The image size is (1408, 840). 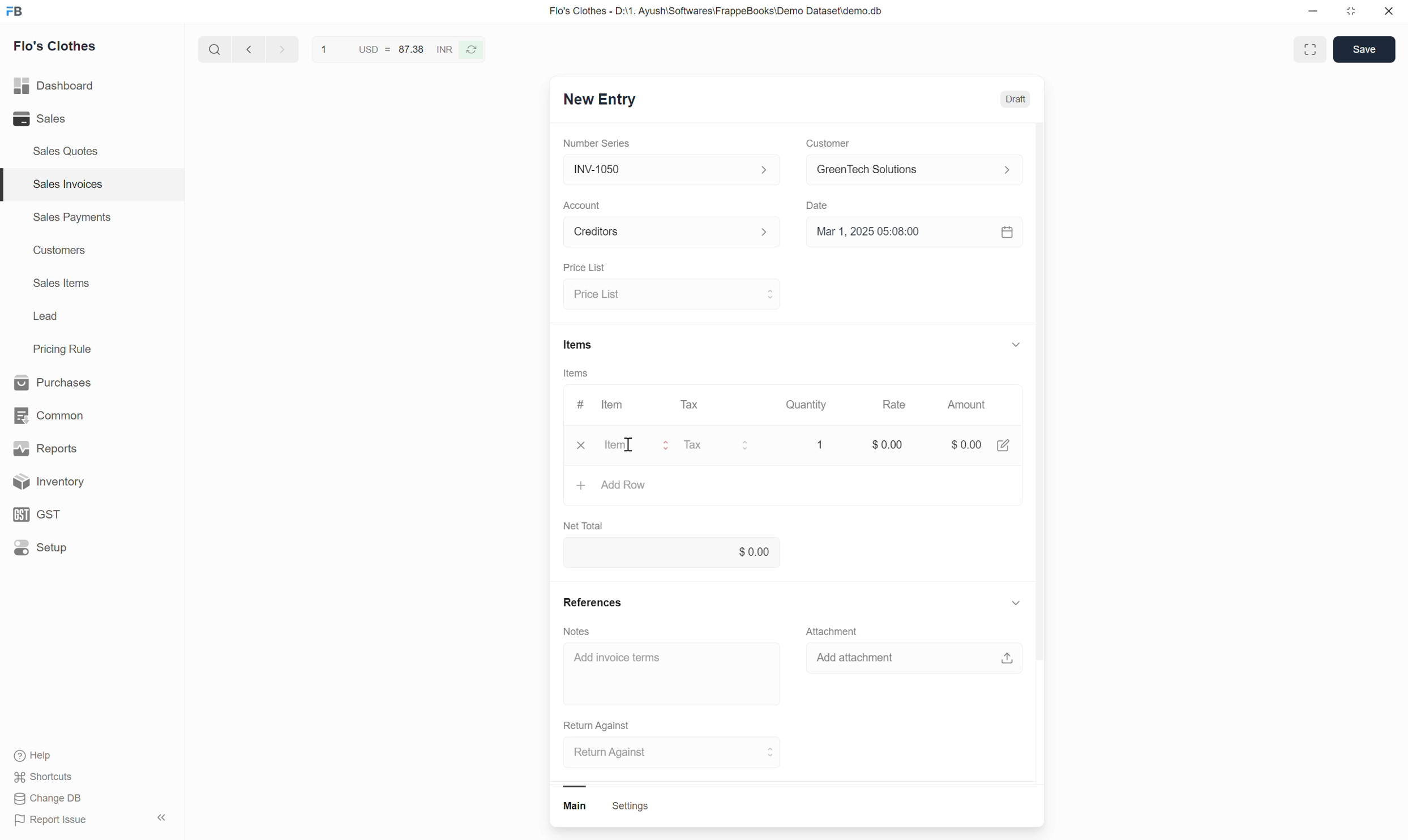 I want to click on Dashboard , so click(x=74, y=86).